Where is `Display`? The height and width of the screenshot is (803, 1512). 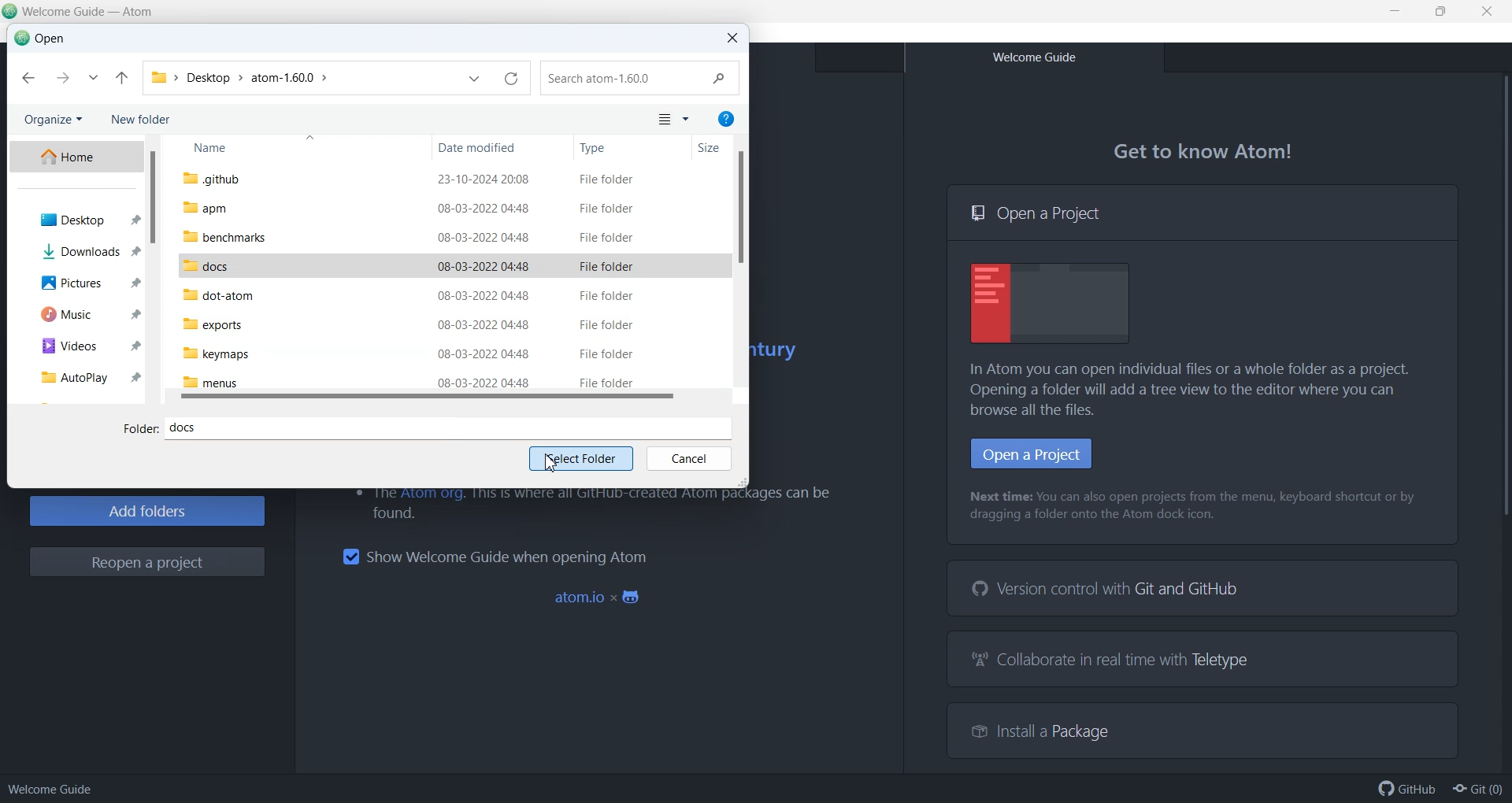 Display is located at coordinates (1051, 303).